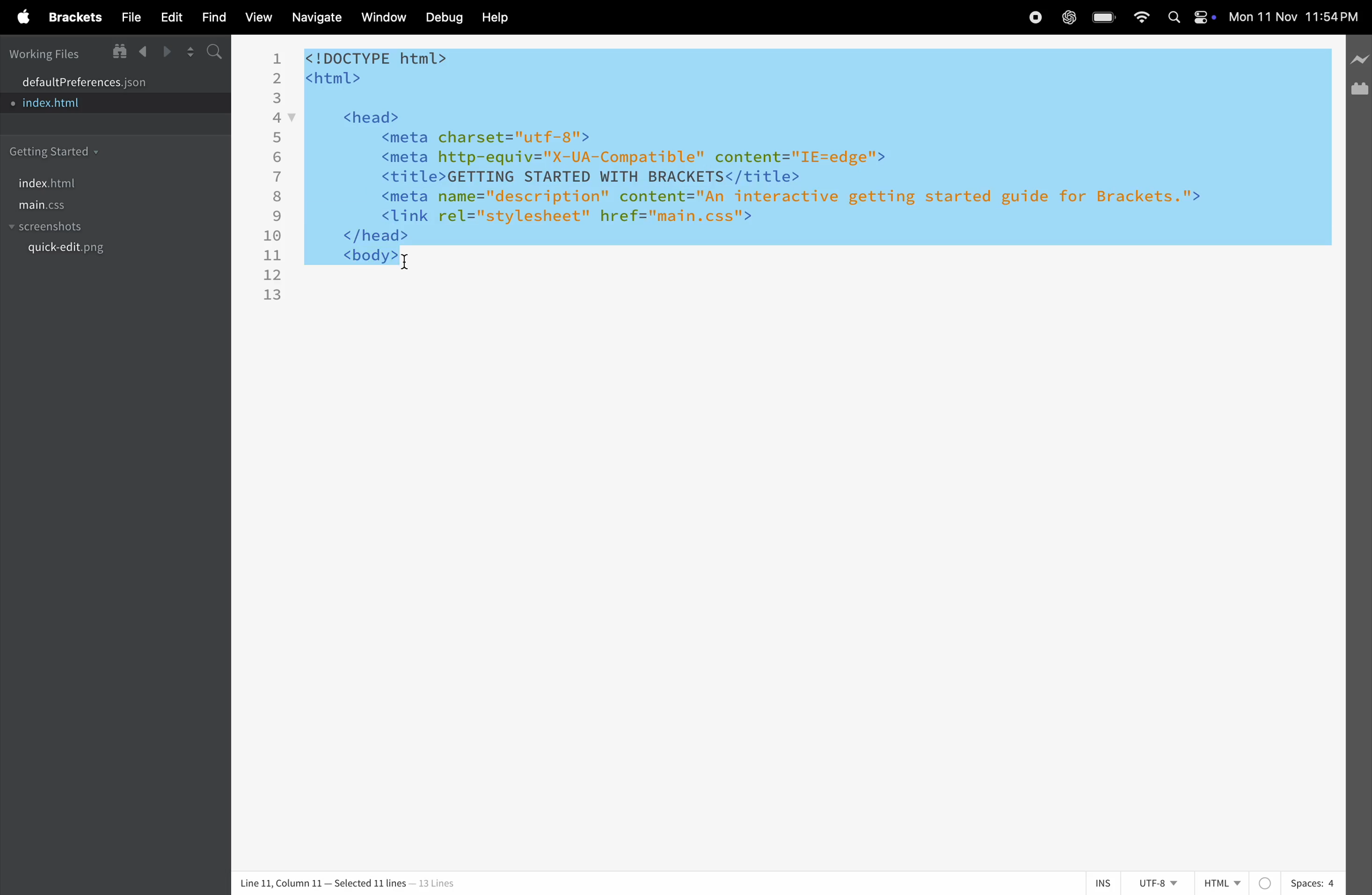  What do you see at coordinates (383, 18) in the screenshot?
I see `window` at bounding box center [383, 18].